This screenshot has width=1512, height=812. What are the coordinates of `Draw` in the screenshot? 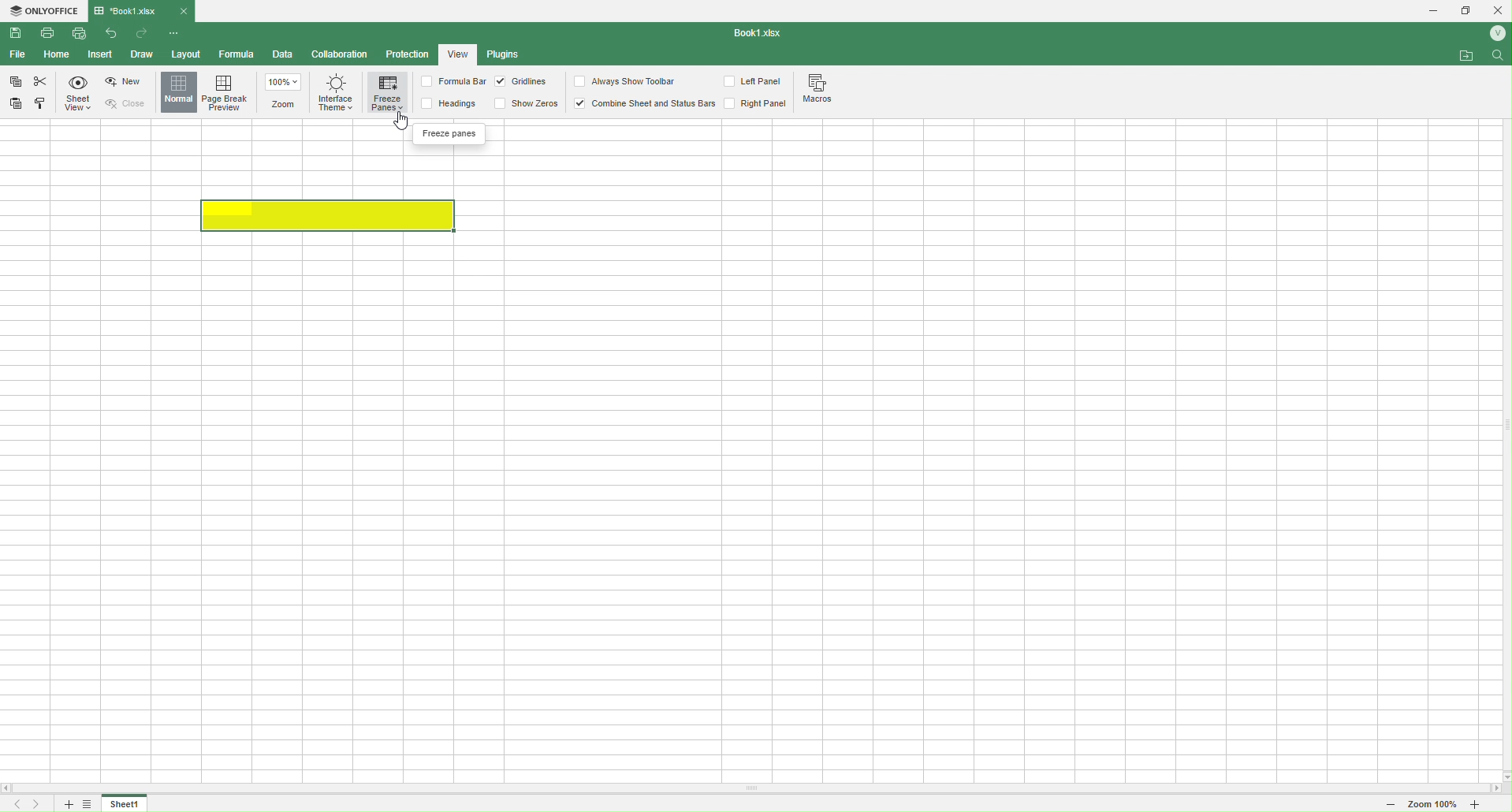 It's located at (141, 54).